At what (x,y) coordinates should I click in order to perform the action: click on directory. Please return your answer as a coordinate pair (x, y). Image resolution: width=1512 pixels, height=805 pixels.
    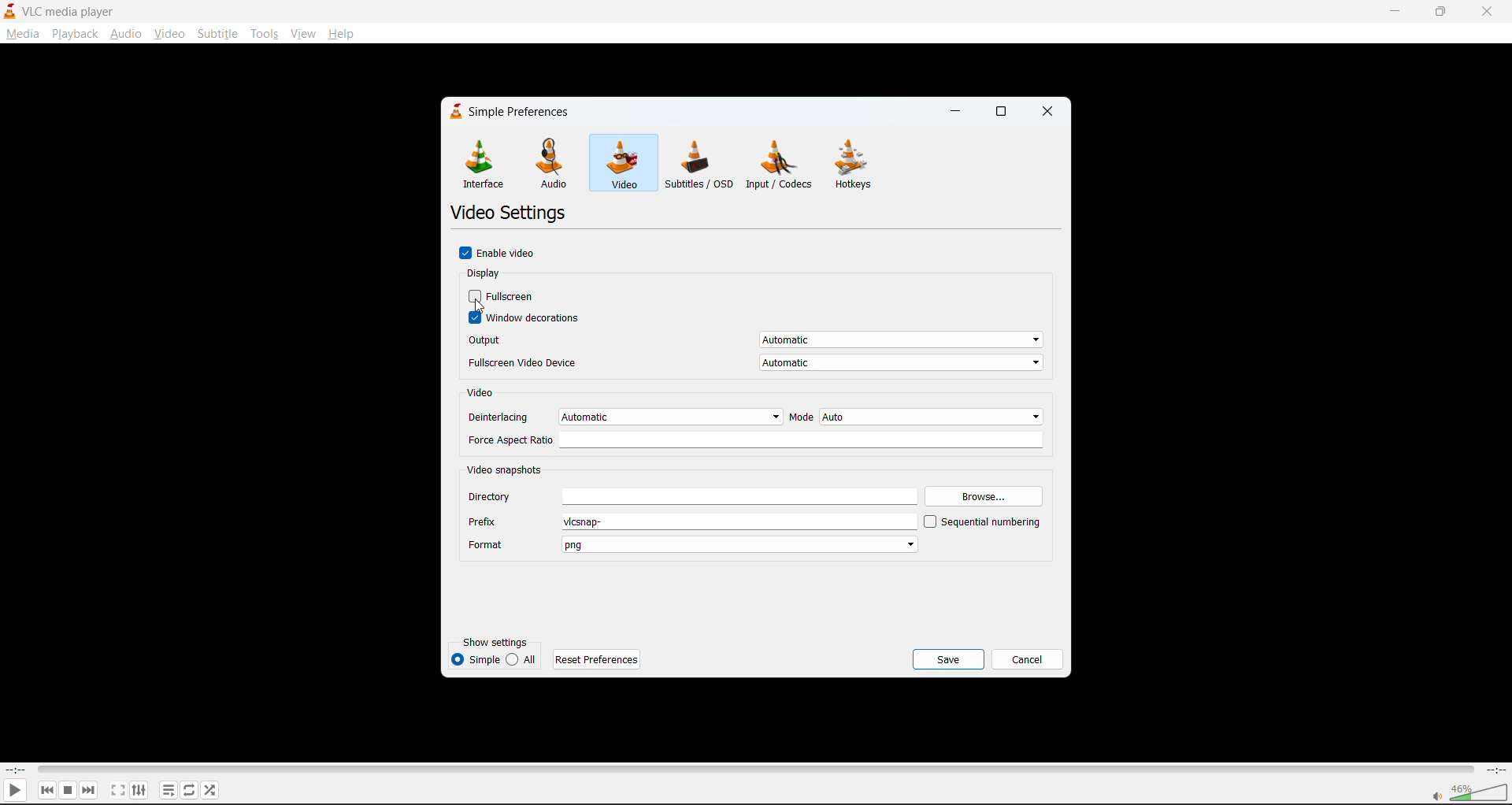
    Looking at the image, I should click on (695, 496).